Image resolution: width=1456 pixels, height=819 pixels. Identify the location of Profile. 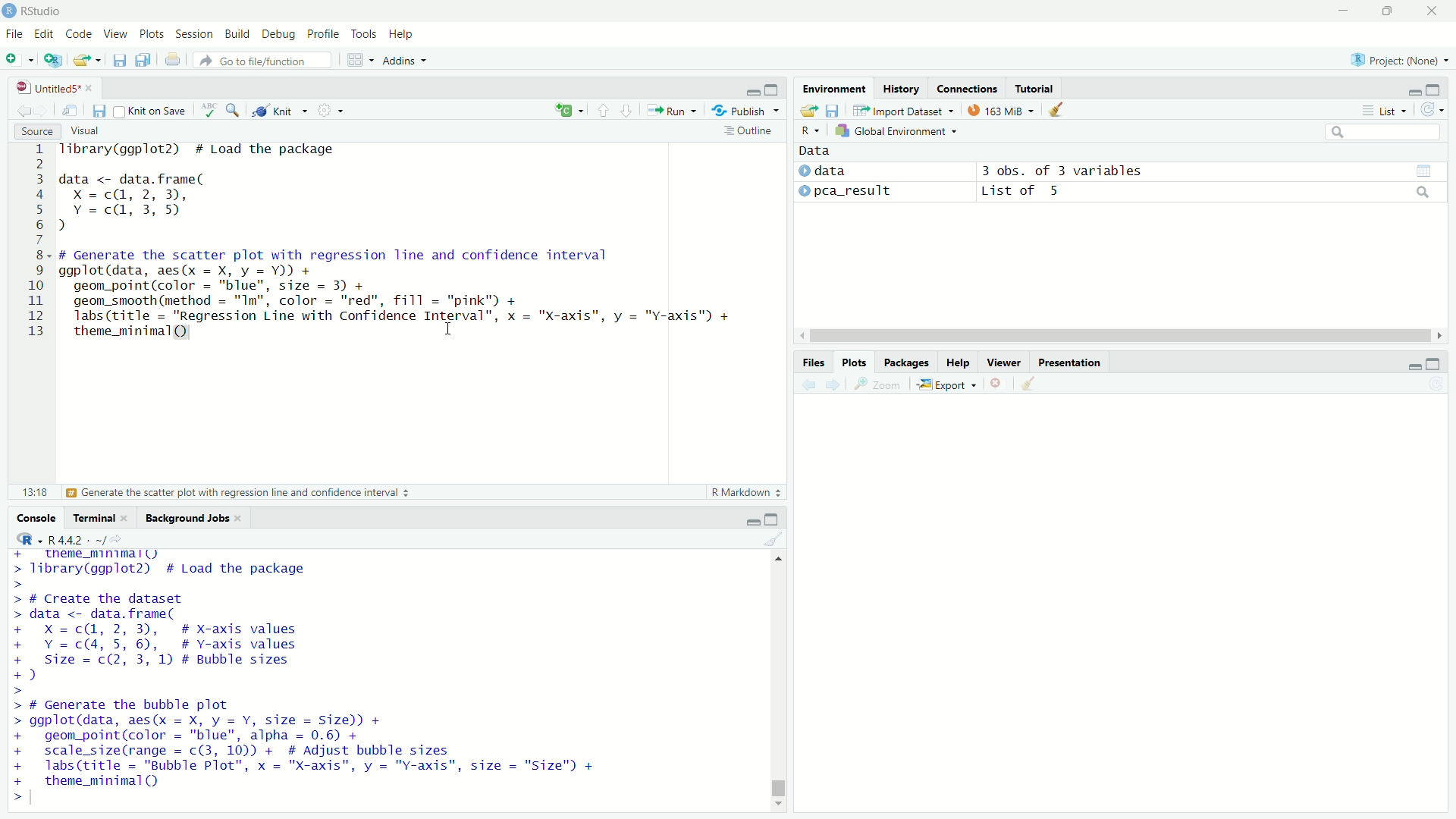
(324, 33).